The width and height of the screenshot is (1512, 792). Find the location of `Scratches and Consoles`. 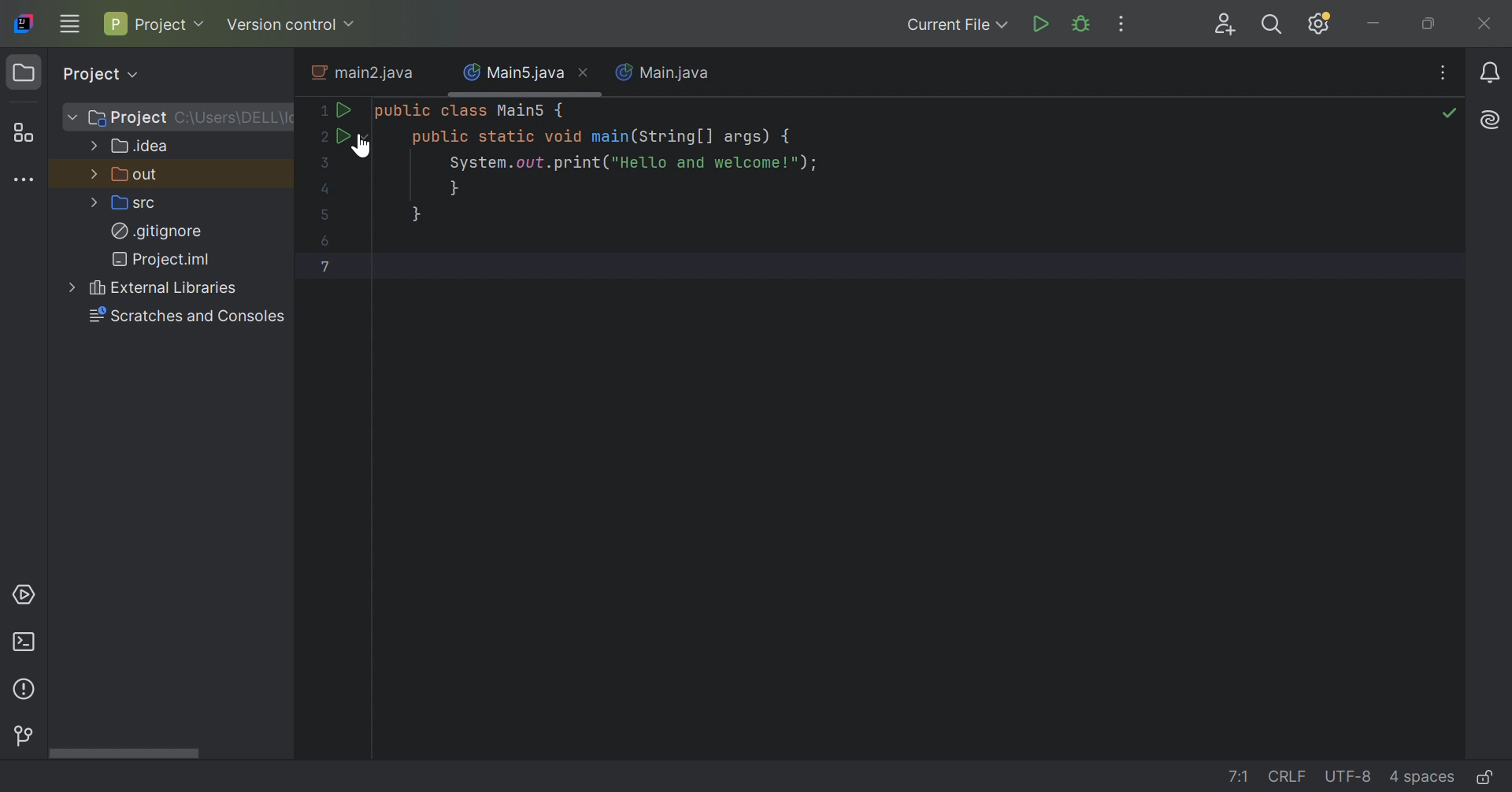

Scratches and Consoles is located at coordinates (189, 317).